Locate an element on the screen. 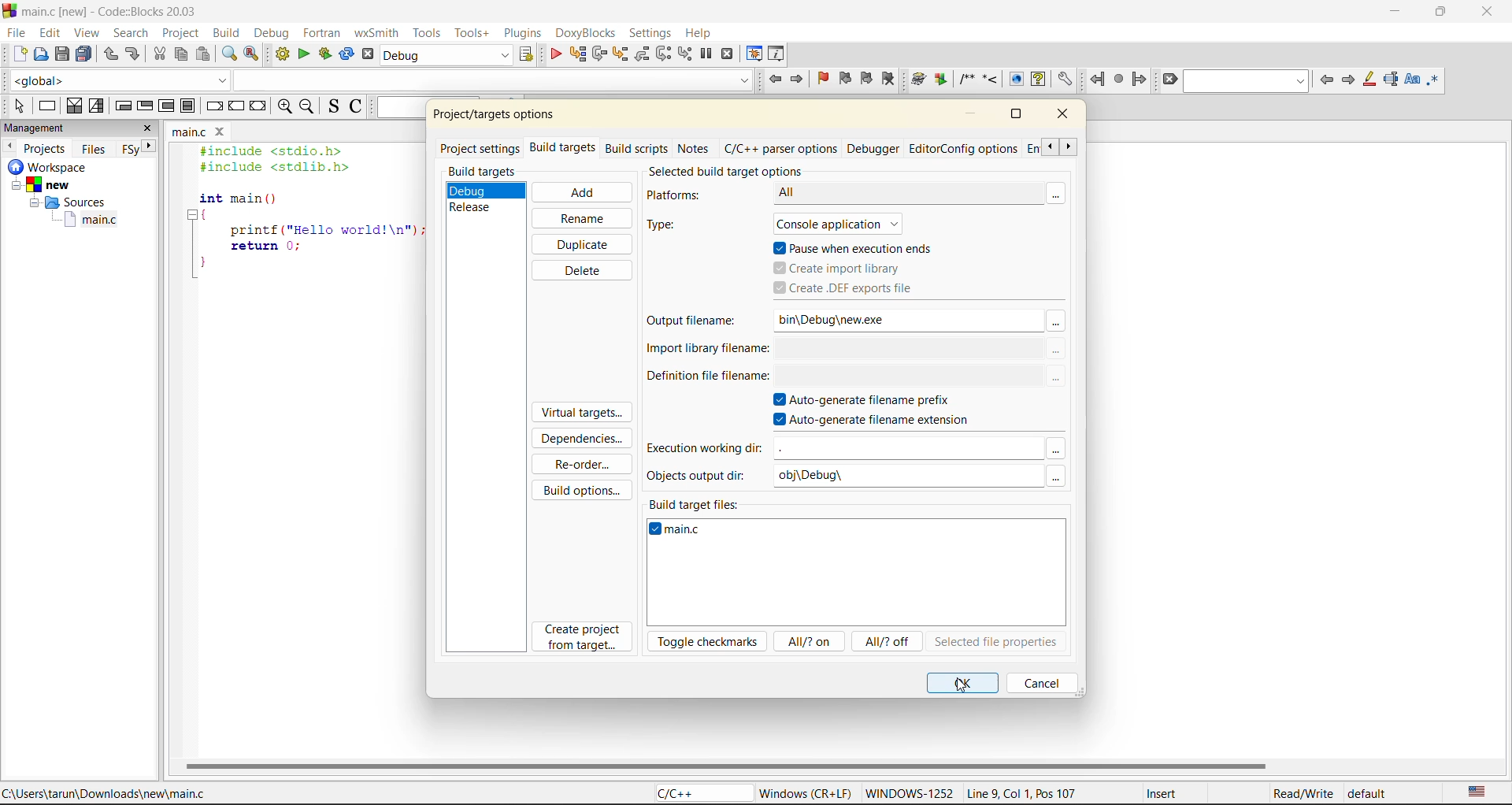 Image resolution: width=1512 pixels, height=805 pixels. counting loop is located at coordinates (166, 107).